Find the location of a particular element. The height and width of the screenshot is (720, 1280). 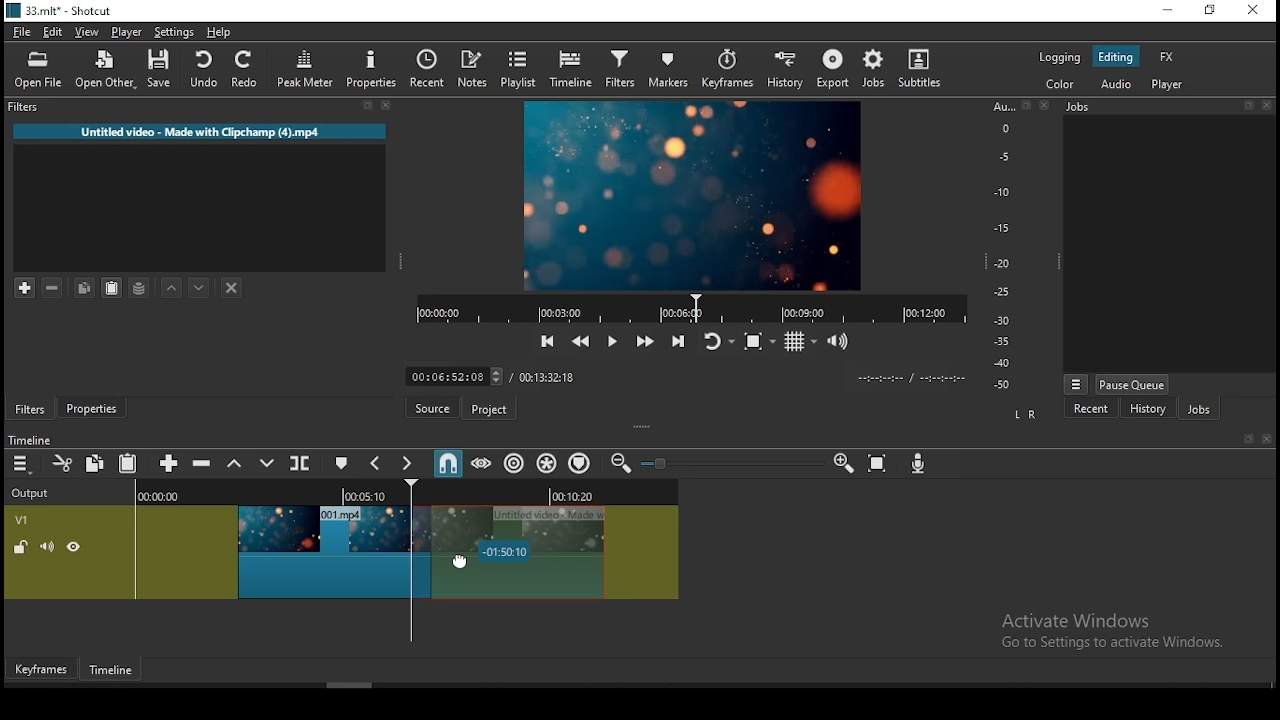

paste filter is located at coordinates (115, 289).